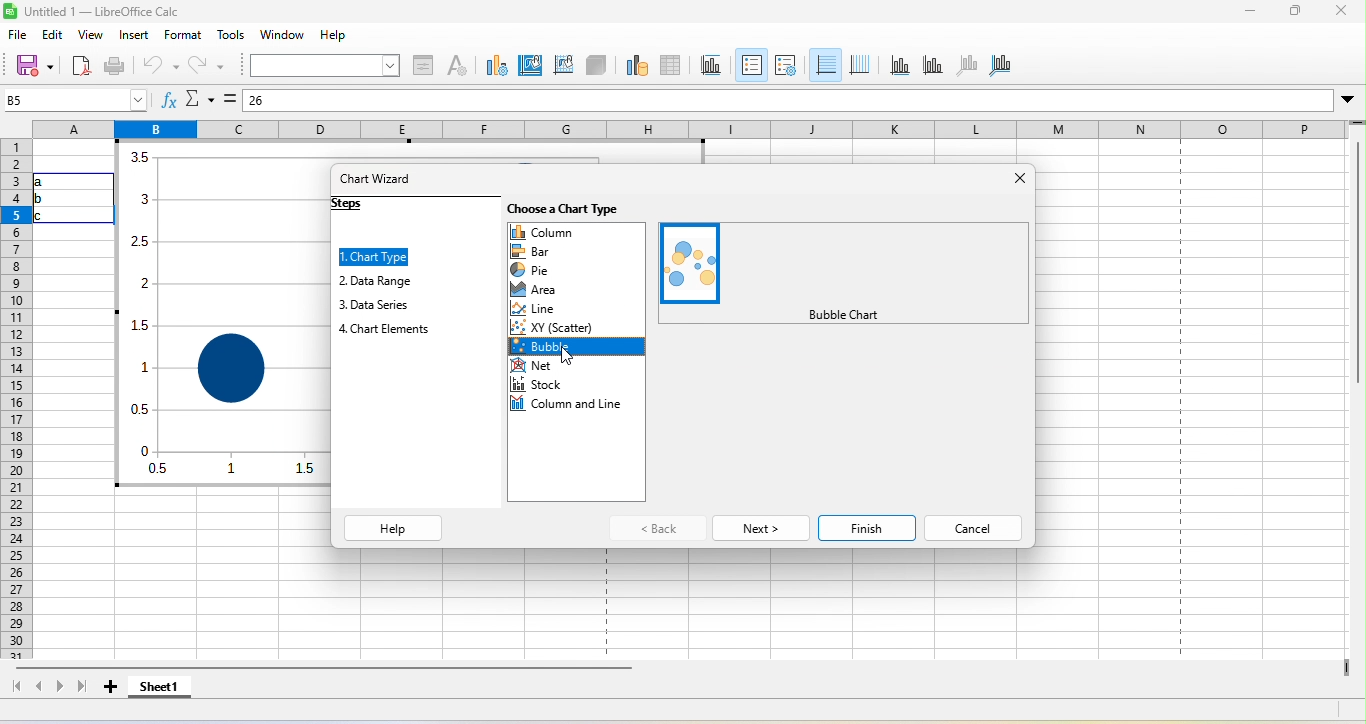 The width and height of the screenshot is (1366, 724). Describe the element at coordinates (232, 36) in the screenshot. I see `tools` at that location.